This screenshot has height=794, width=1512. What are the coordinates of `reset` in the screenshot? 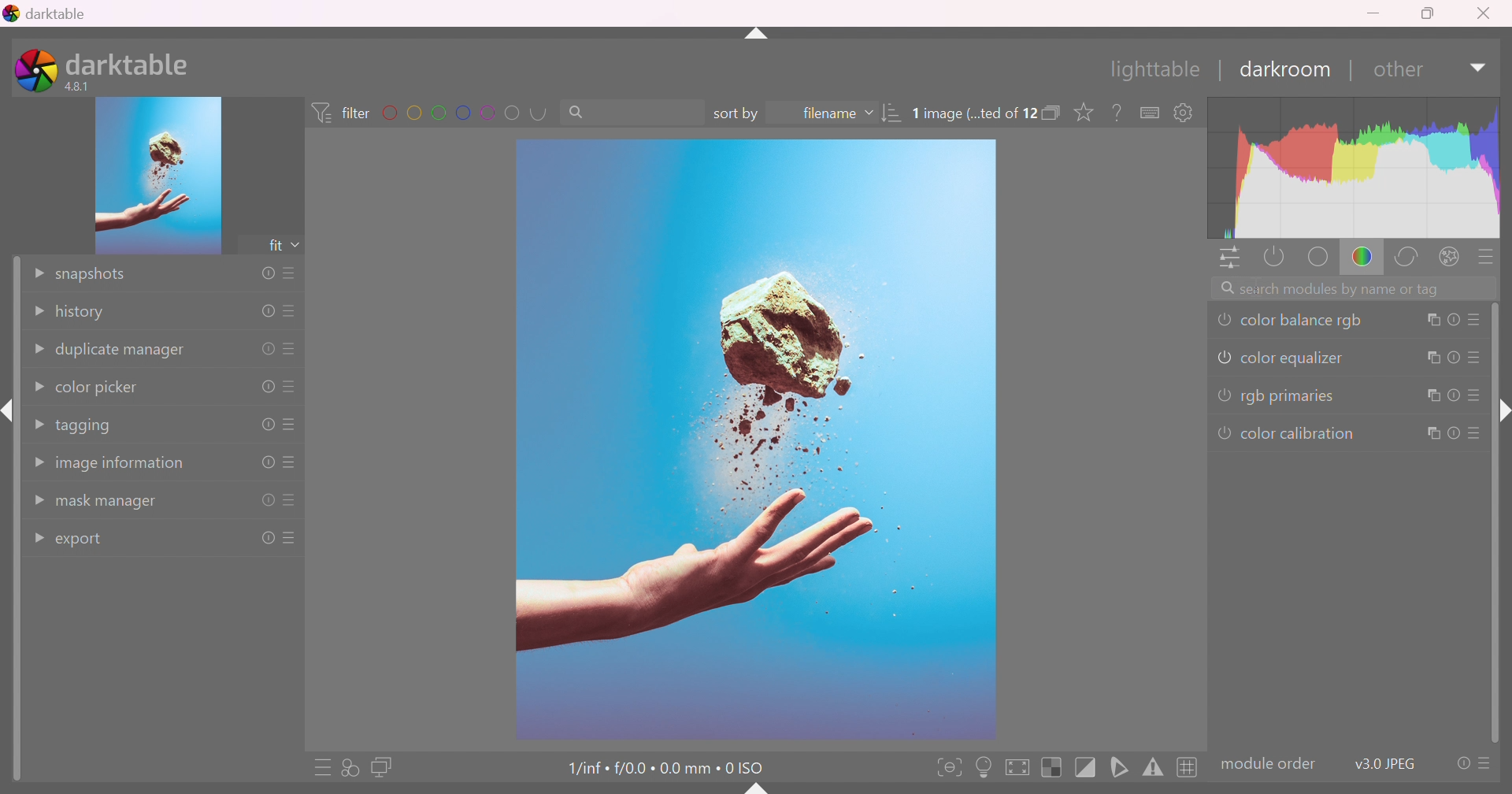 It's located at (264, 274).